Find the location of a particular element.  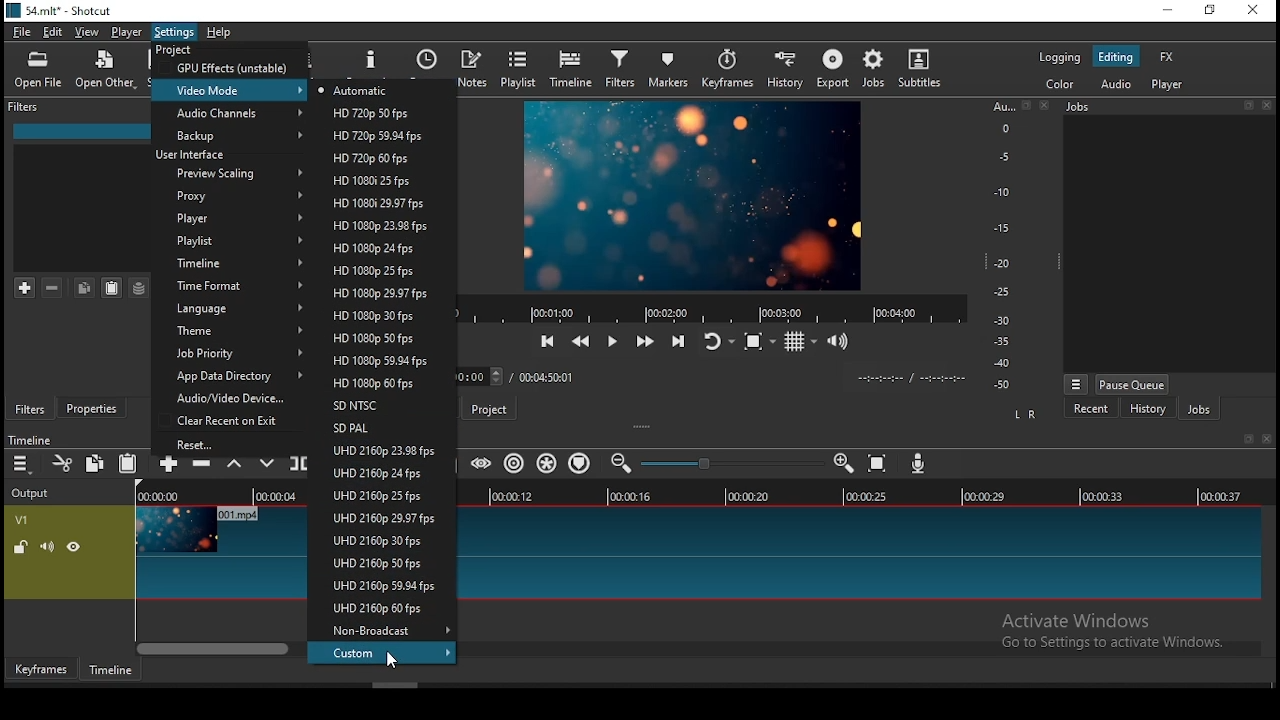

append is located at coordinates (168, 467).